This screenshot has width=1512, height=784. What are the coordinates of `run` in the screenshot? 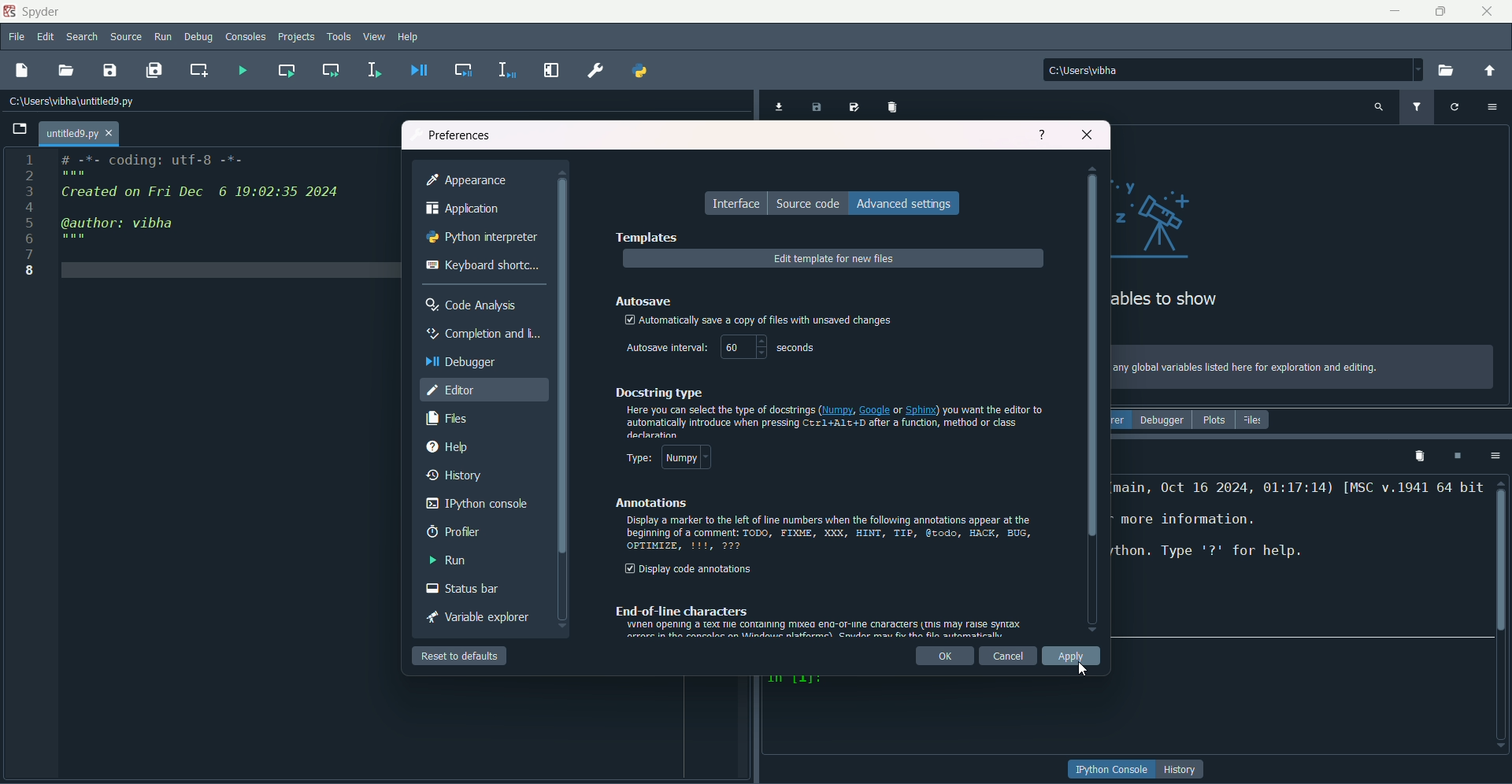 It's located at (164, 37).